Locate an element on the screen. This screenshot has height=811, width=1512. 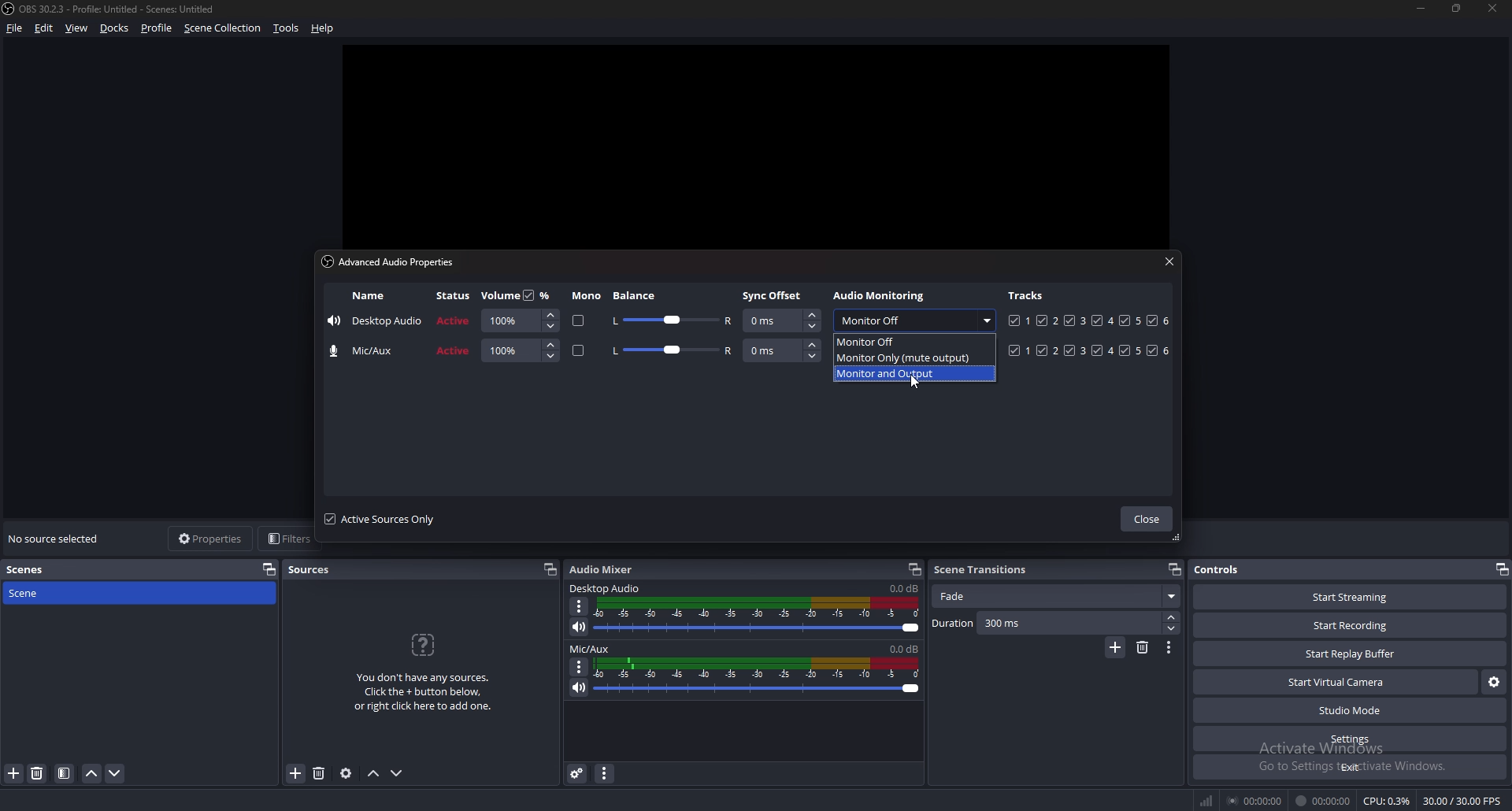
monitor off is located at coordinates (913, 343).